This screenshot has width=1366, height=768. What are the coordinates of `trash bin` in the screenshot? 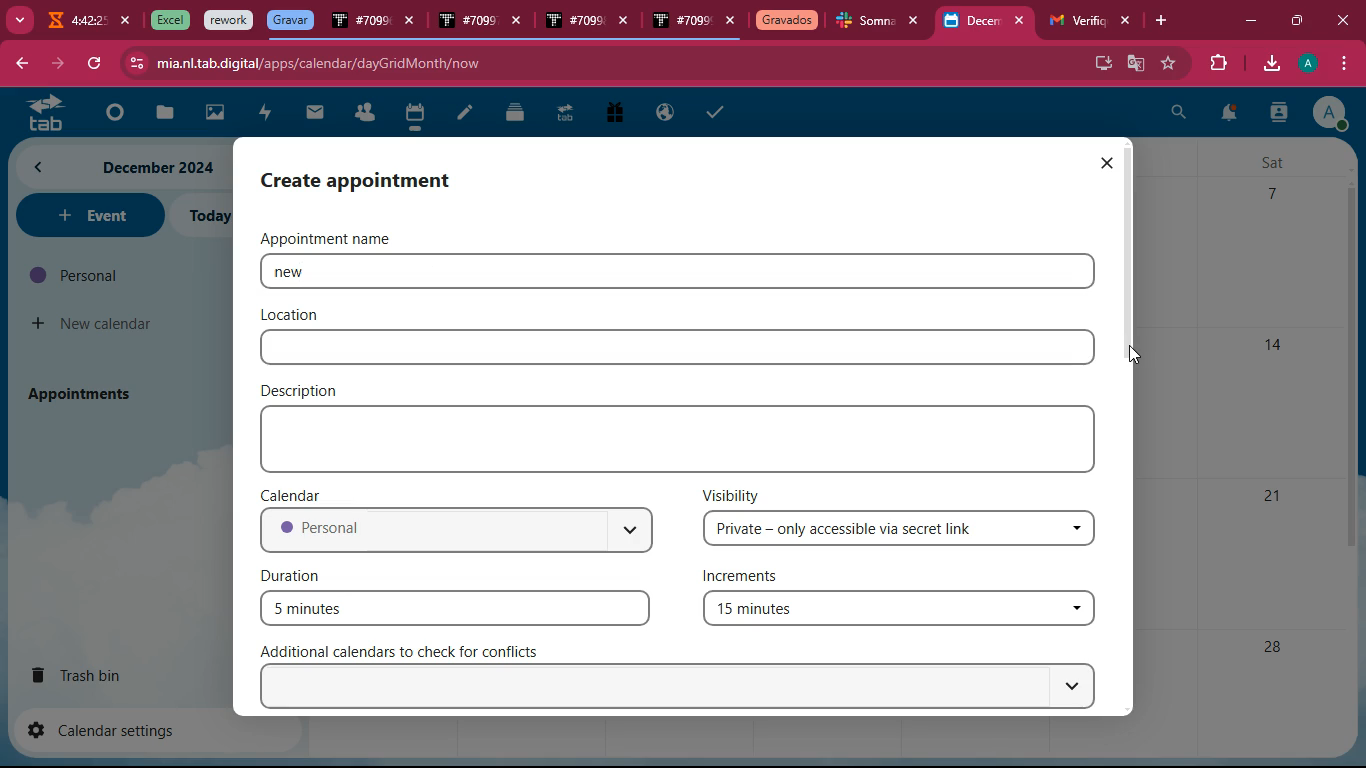 It's located at (96, 674).